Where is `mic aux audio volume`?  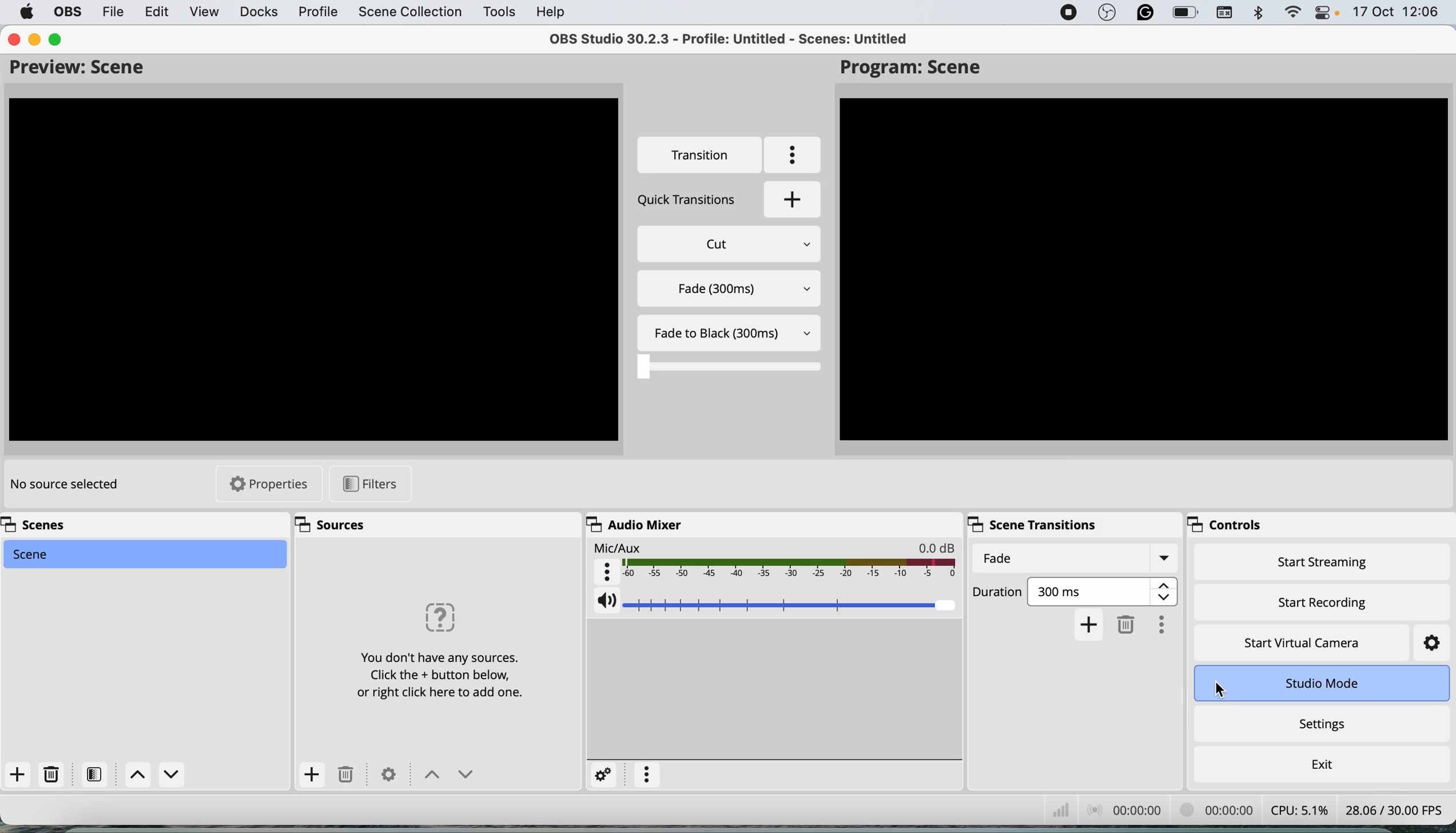 mic aux audio volume is located at coordinates (778, 601).